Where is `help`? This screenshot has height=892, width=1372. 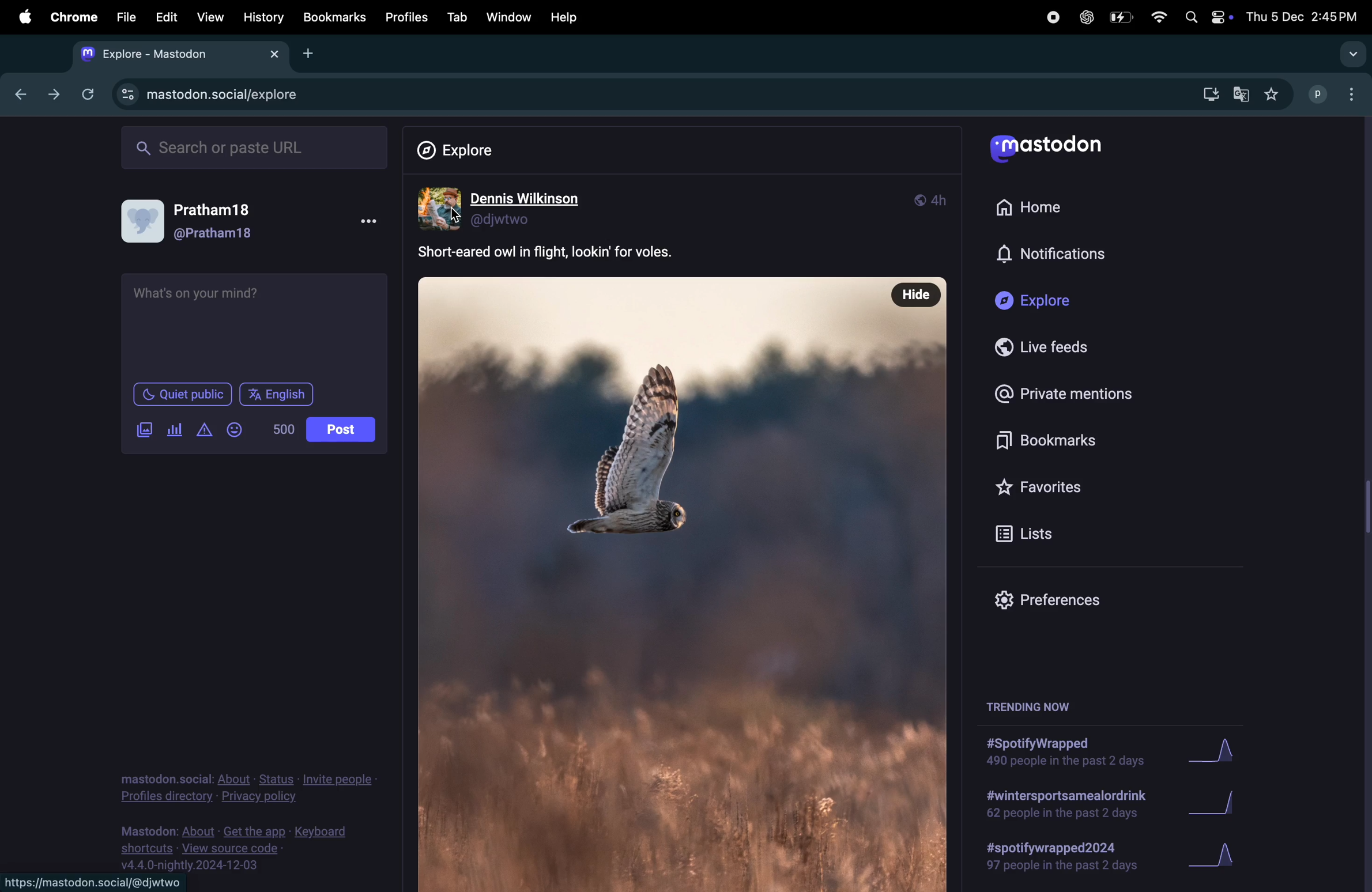
help is located at coordinates (566, 17).